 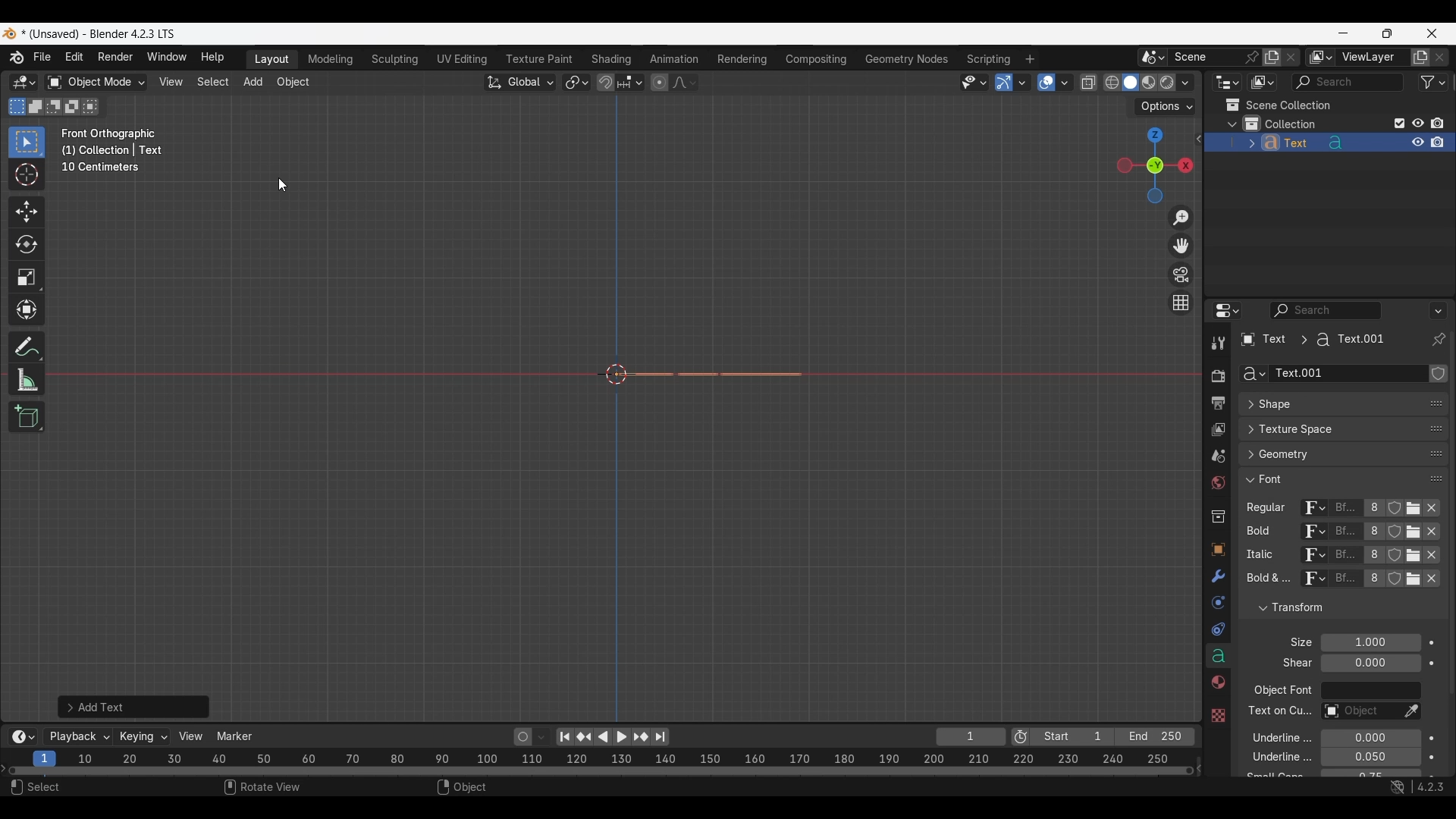 I want to click on Pathway of current panel changed, so click(x=1311, y=340).